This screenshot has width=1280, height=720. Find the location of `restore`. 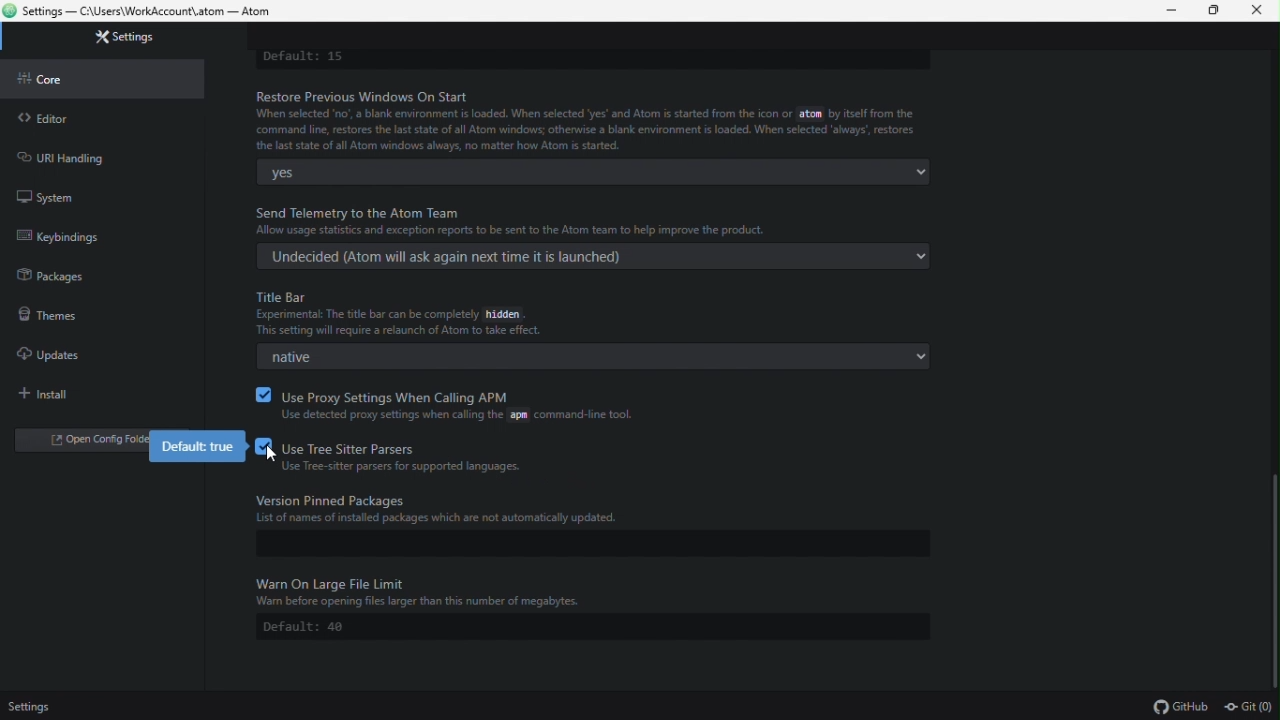

restore is located at coordinates (1219, 12).